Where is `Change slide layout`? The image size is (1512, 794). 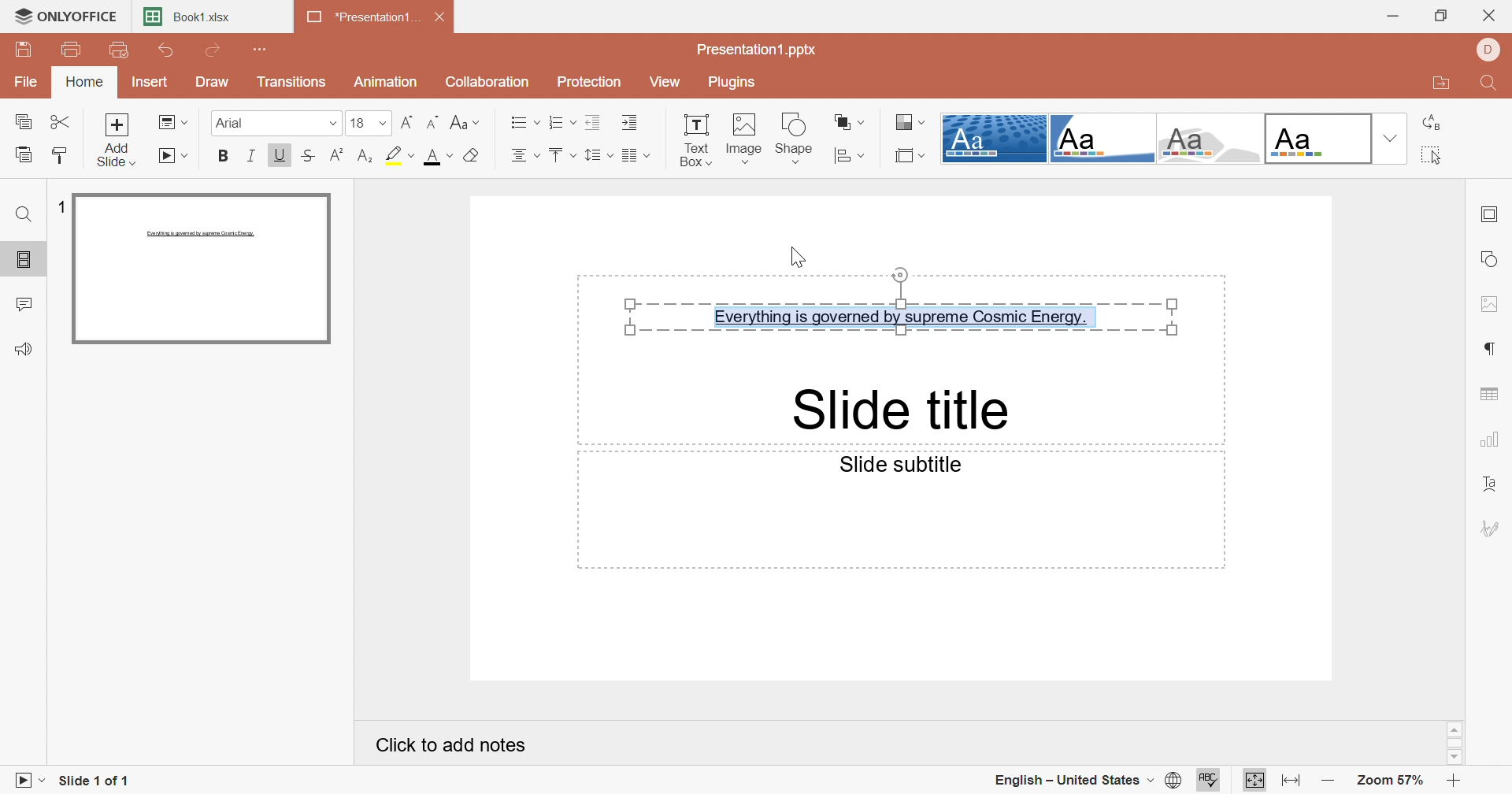 Change slide layout is located at coordinates (173, 121).